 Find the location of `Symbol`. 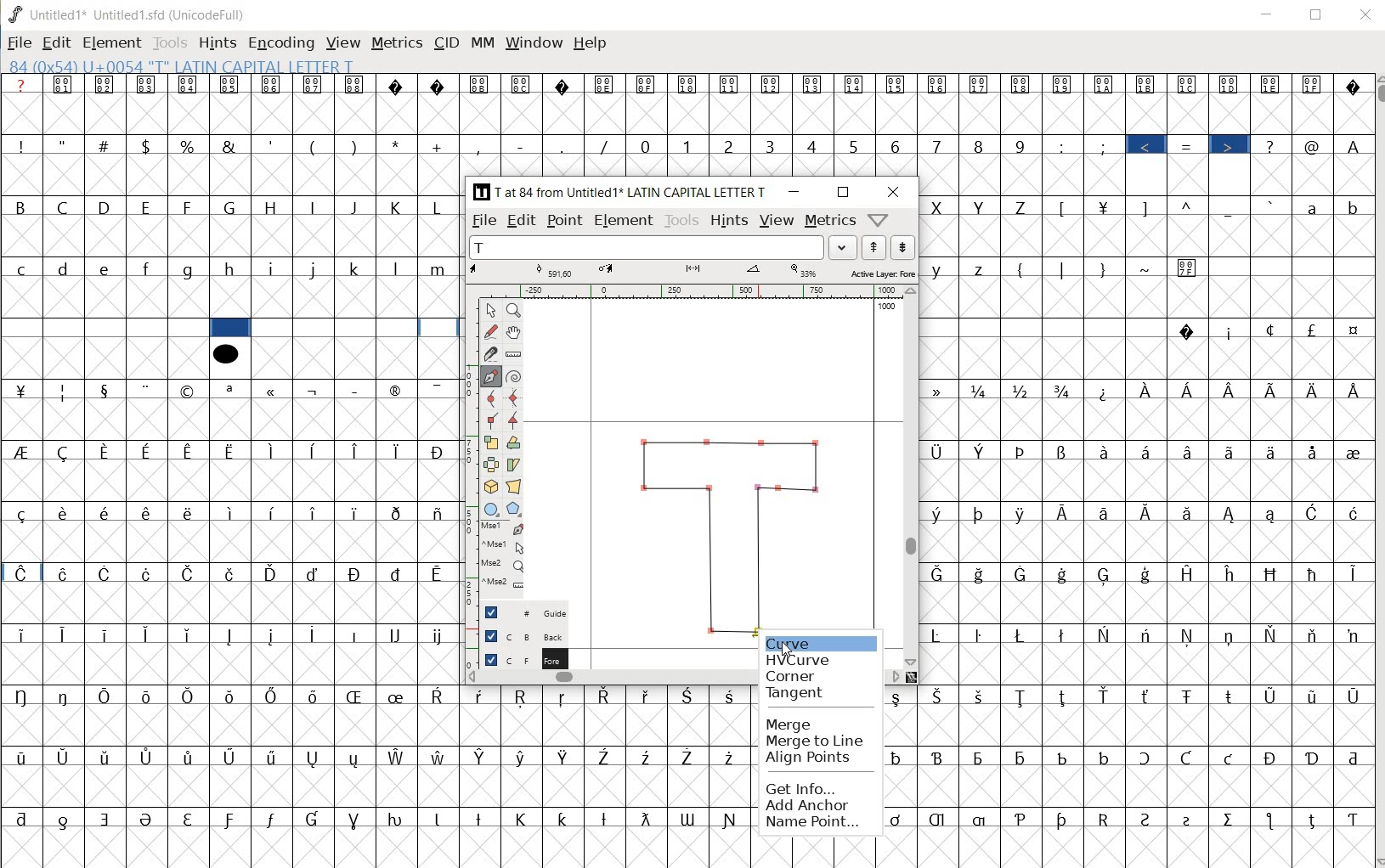

Symbol is located at coordinates (605, 755).